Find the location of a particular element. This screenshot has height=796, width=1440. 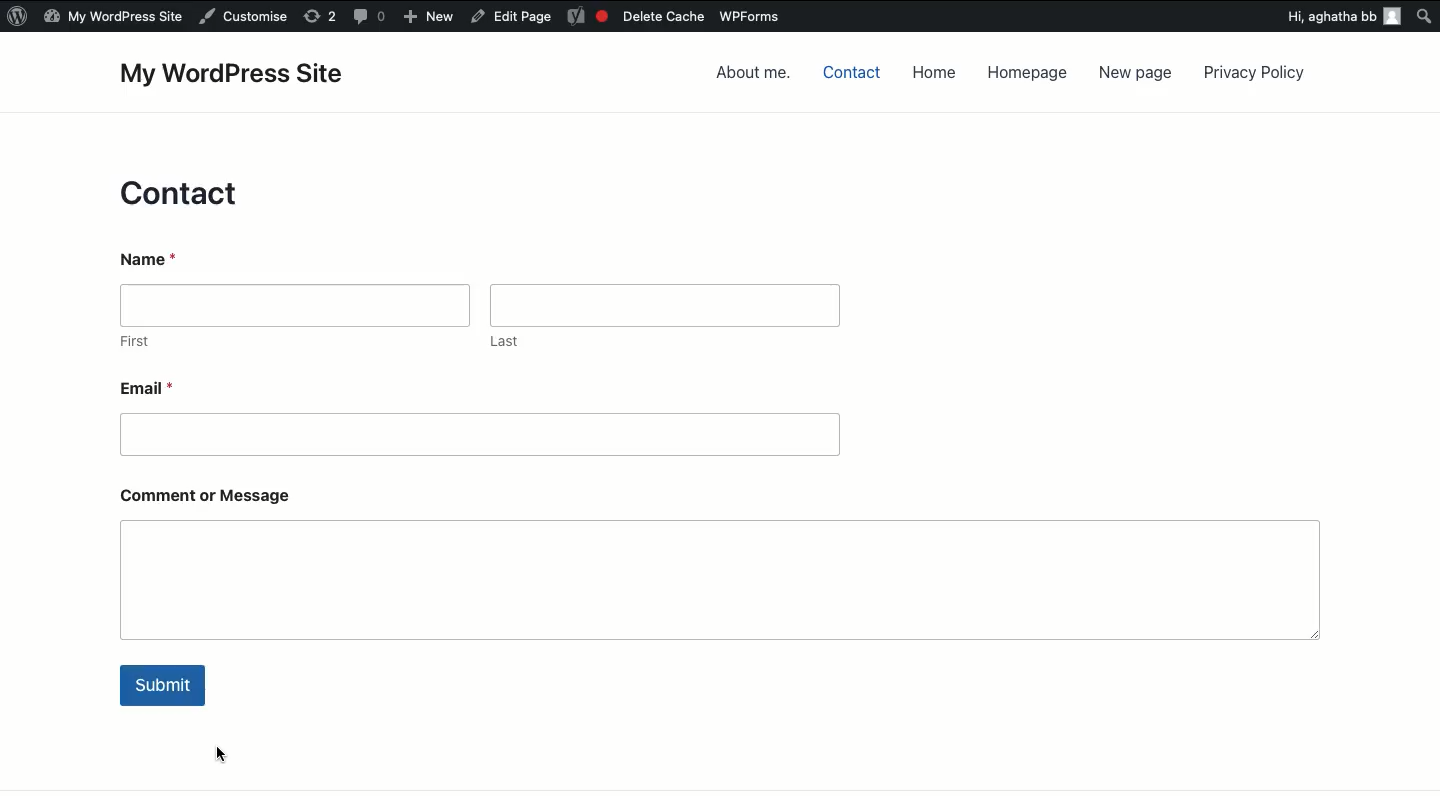

Contact is located at coordinates (194, 193).